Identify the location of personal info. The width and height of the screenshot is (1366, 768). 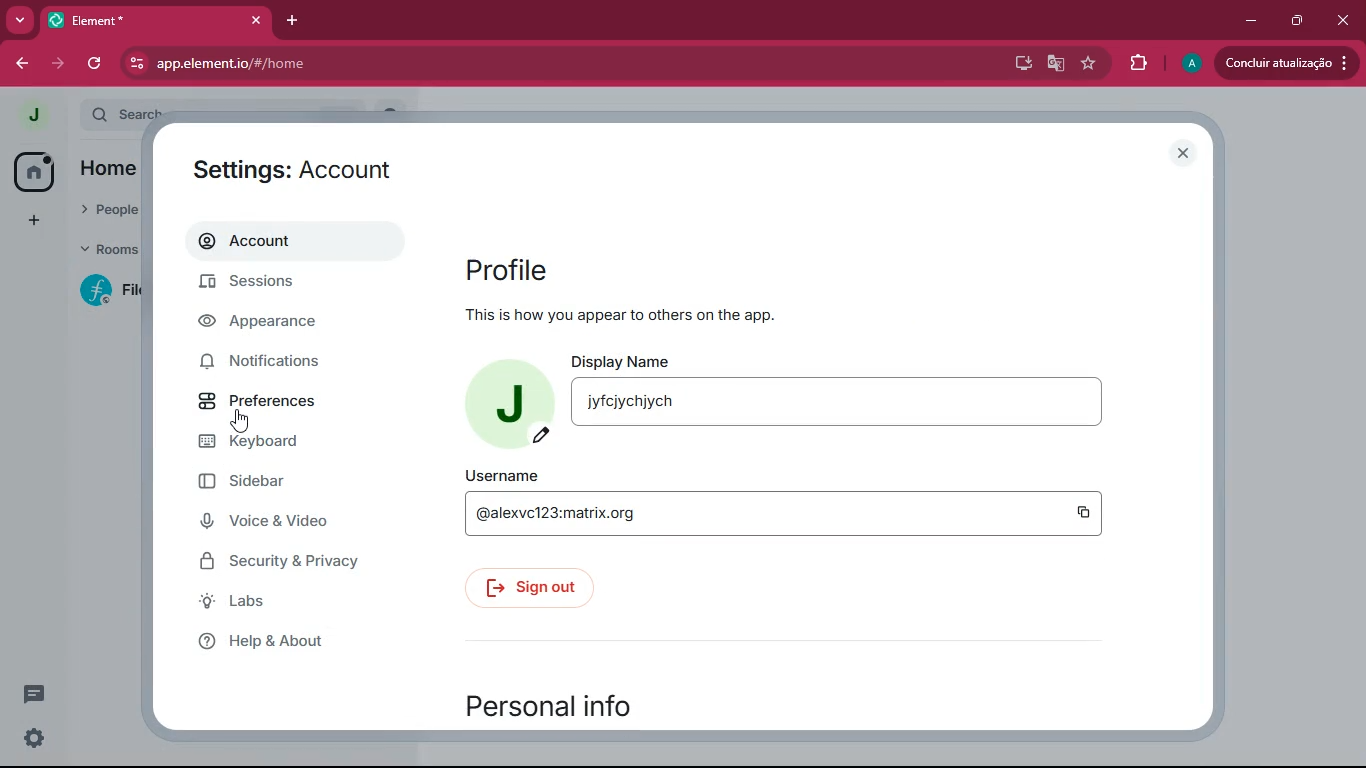
(567, 707).